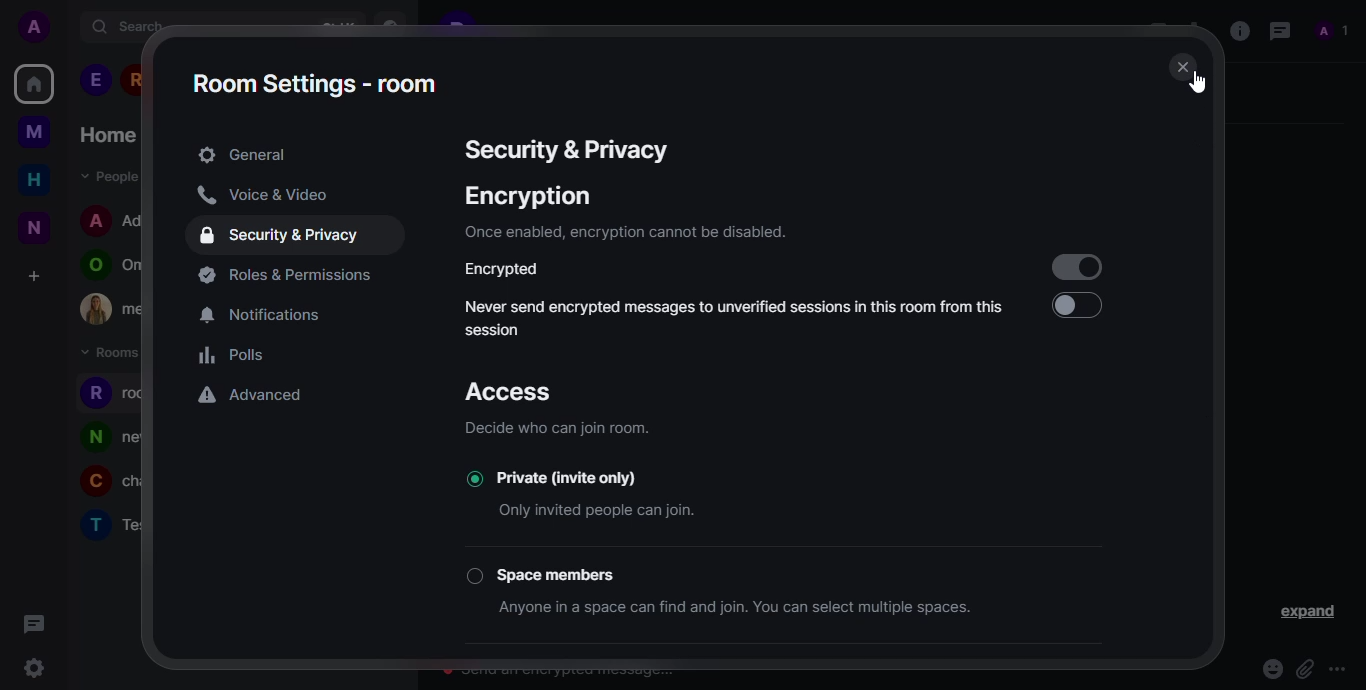  I want to click on profile, so click(96, 219).